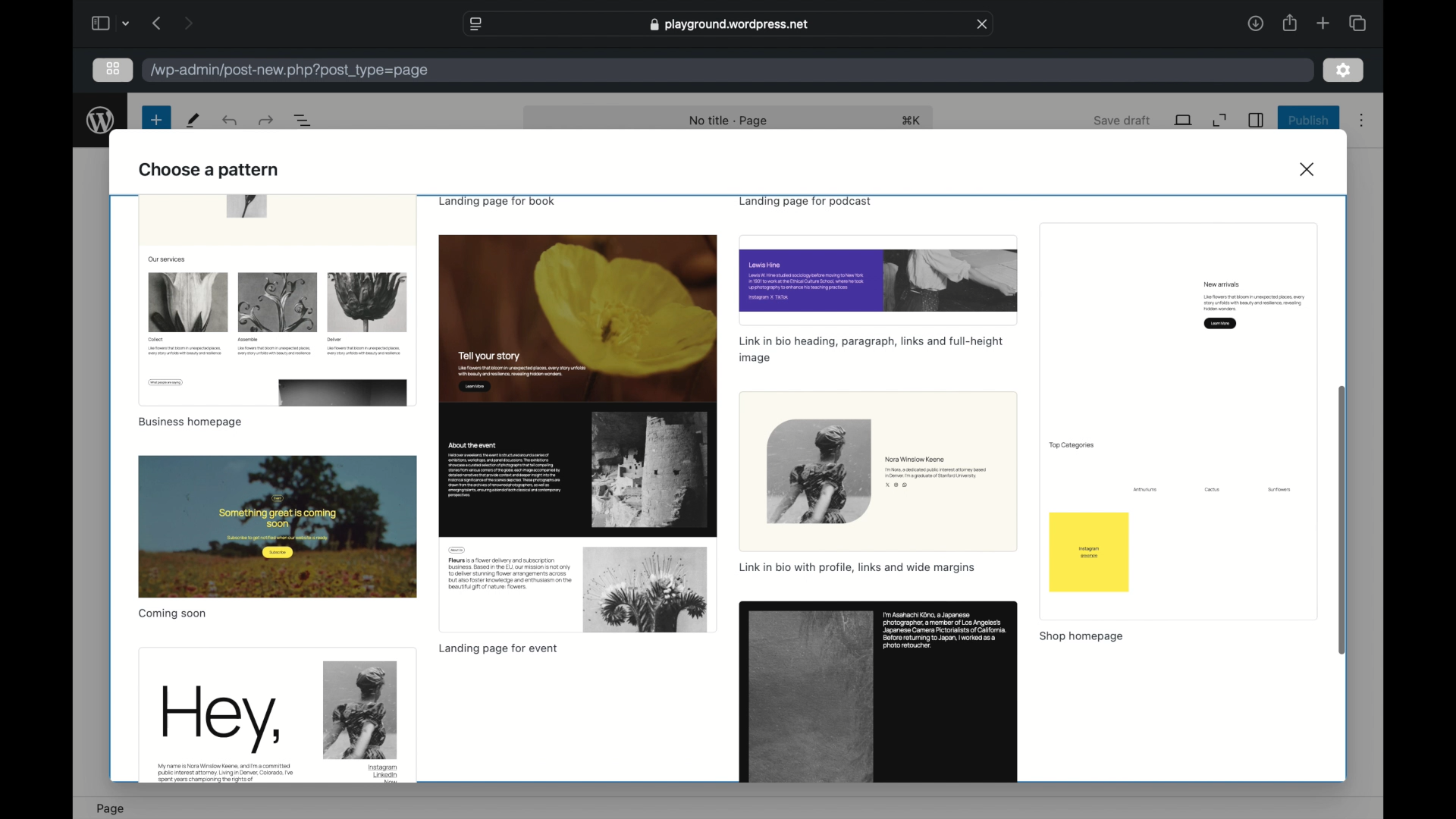  I want to click on landing page for event, so click(497, 649).